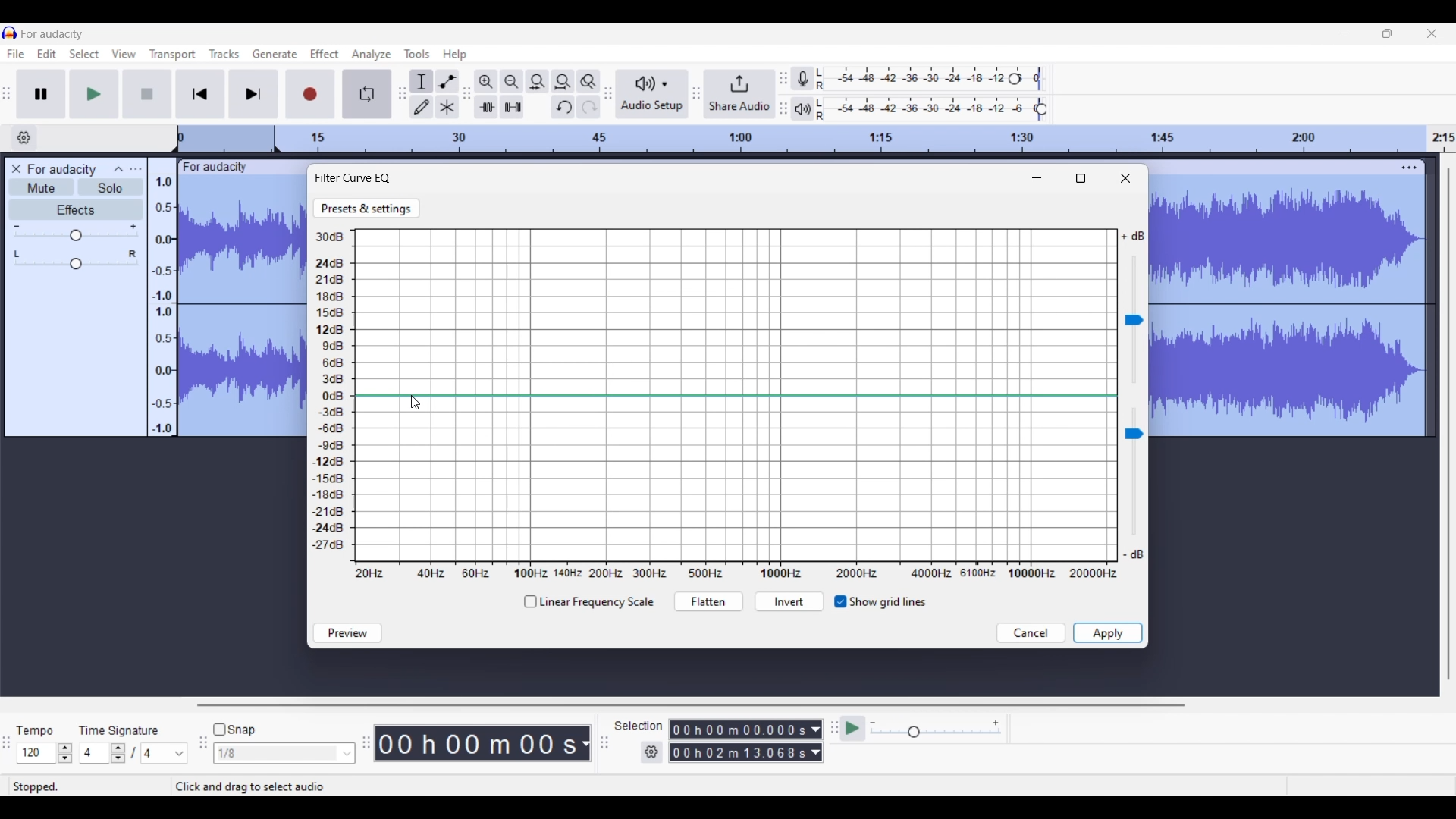  I want to click on Snap toggle, so click(234, 730).